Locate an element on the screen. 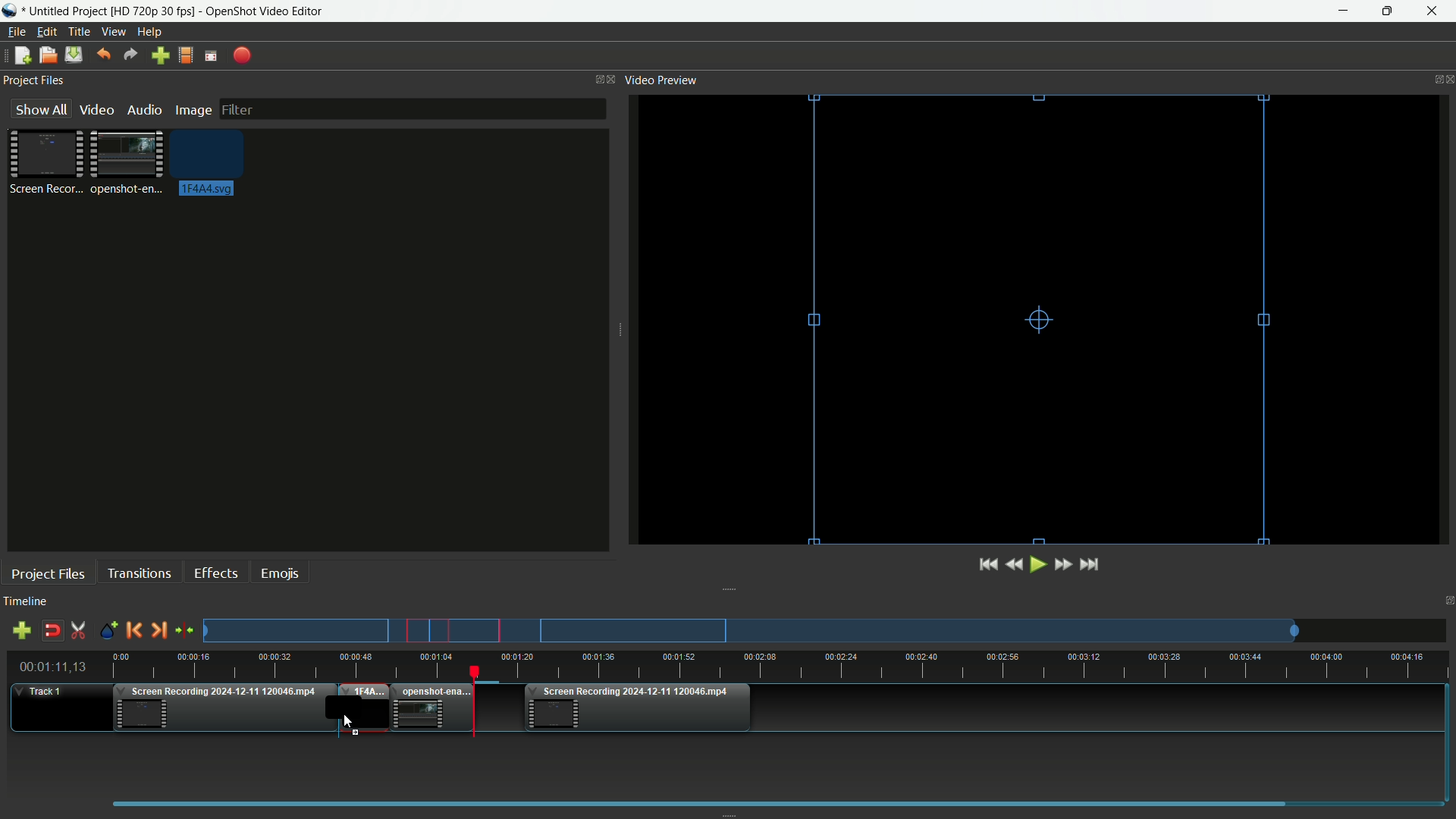 Image resolution: width=1456 pixels, height=819 pixels. Project files is located at coordinates (33, 80).